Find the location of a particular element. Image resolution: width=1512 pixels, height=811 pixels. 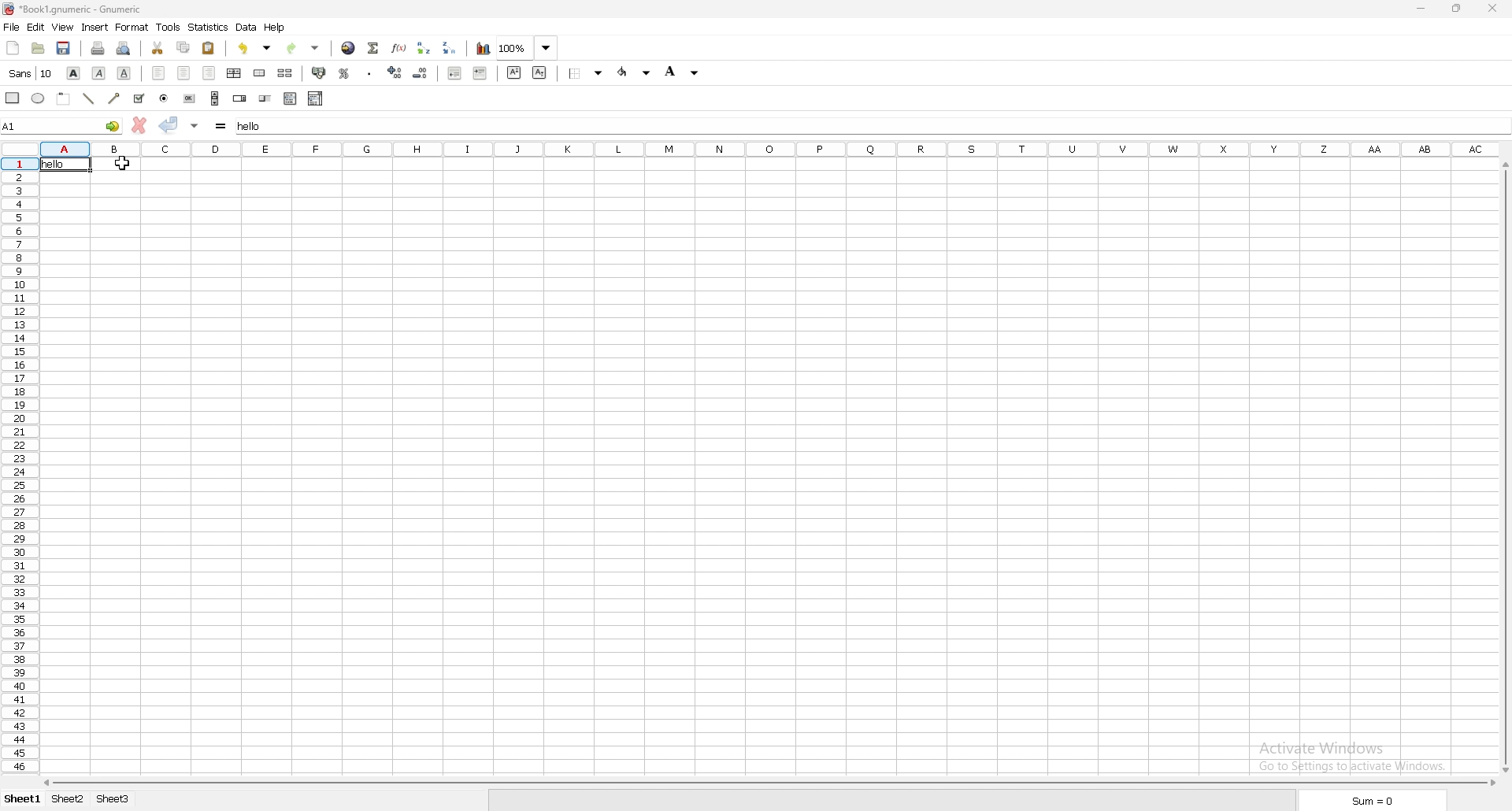

sort descending is located at coordinates (450, 47).